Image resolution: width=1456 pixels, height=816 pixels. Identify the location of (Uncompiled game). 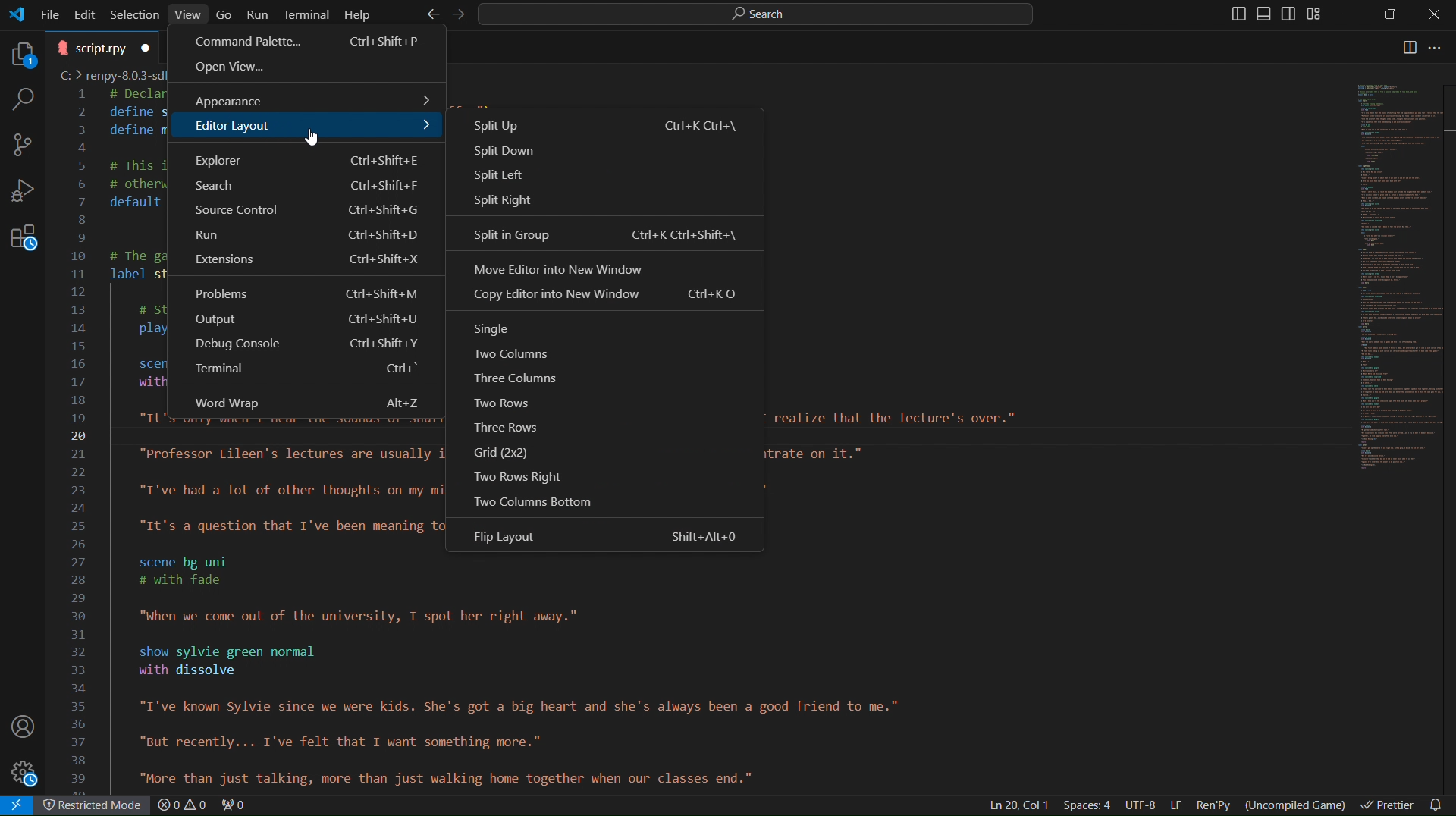
(1298, 803).